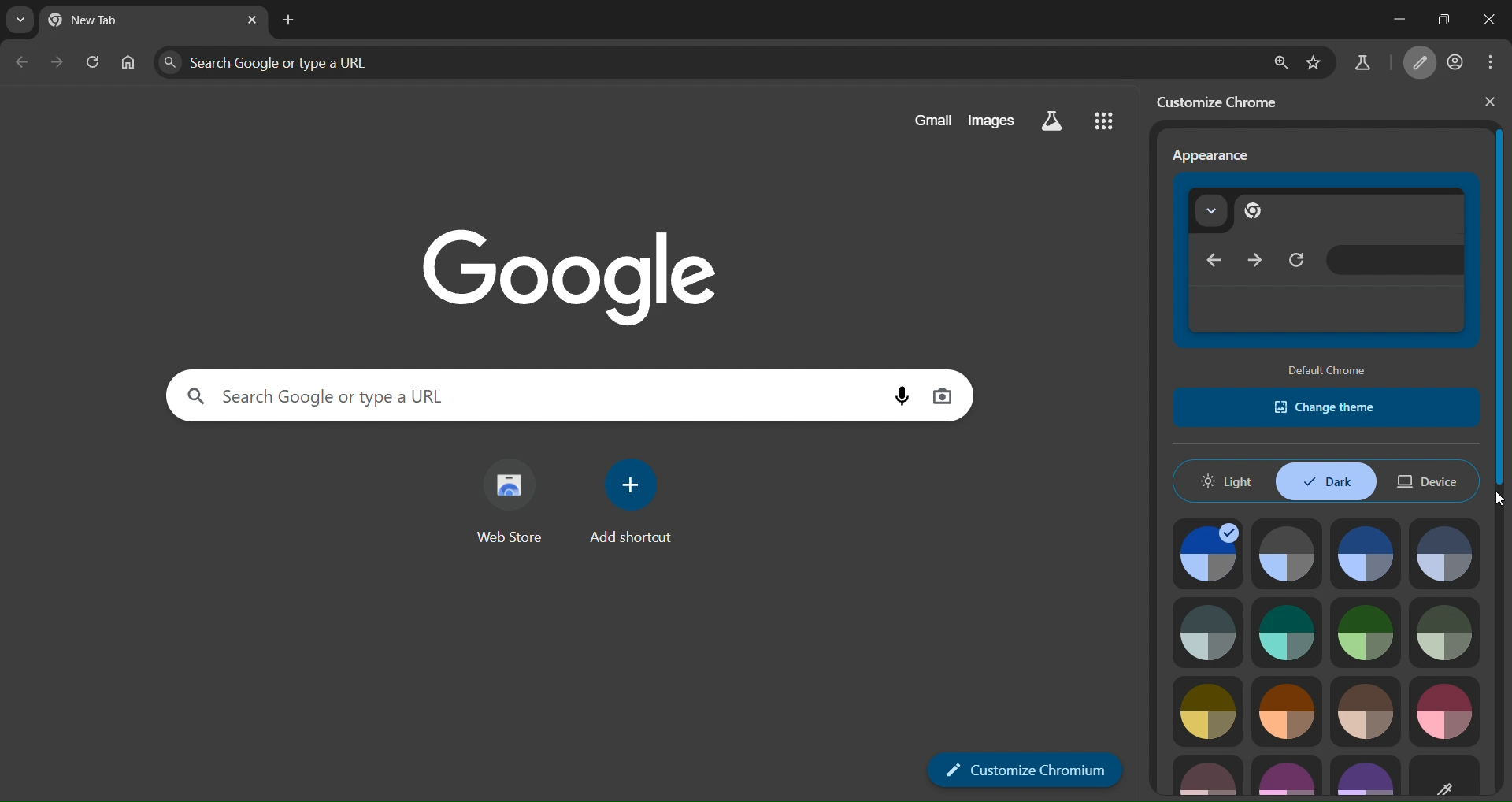 This screenshot has height=802, width=1512. Describe the element at coordinates (1287, 774) in the screenshot. I see `theme` at that location.